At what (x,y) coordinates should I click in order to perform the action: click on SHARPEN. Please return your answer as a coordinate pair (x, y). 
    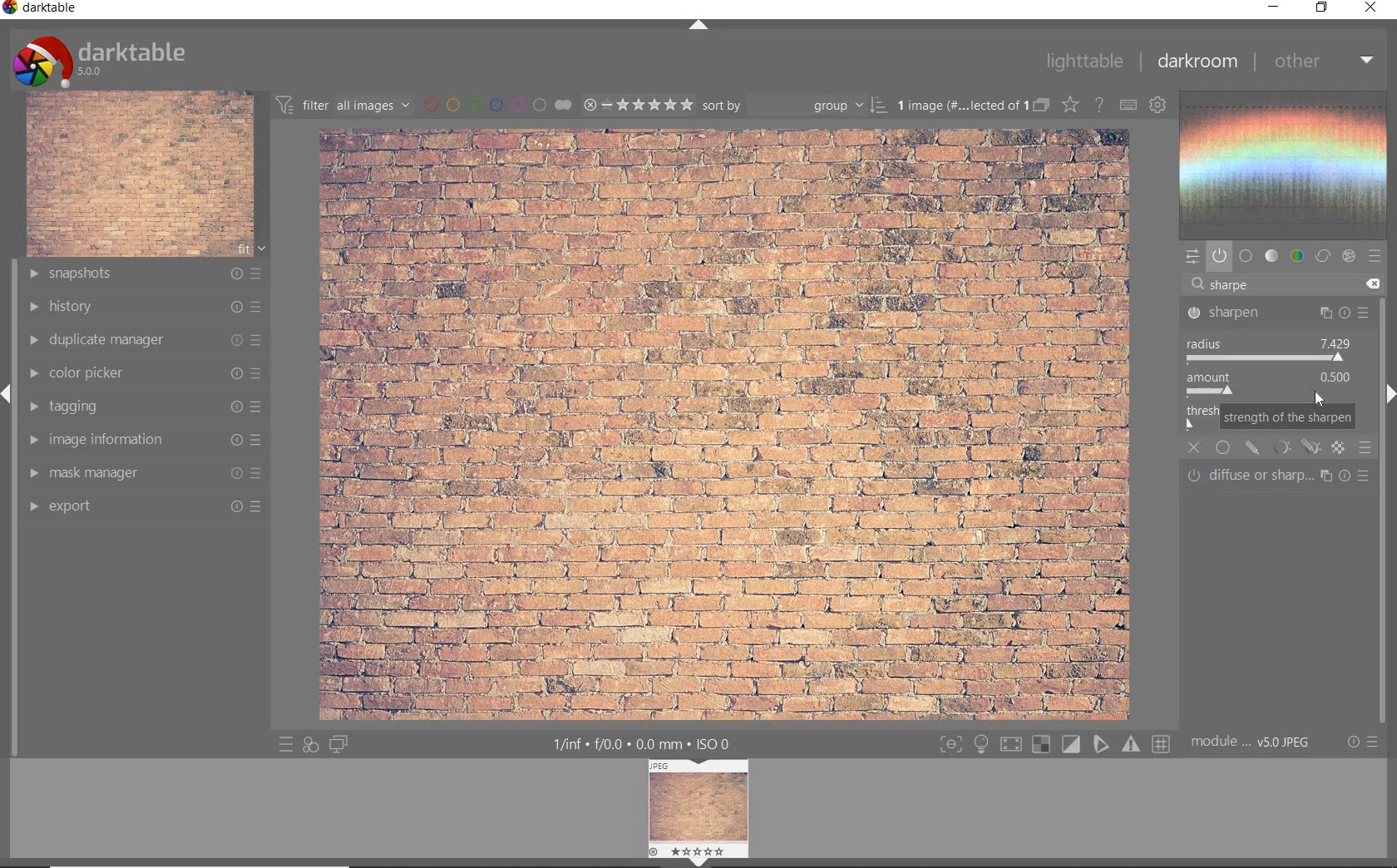
    Looking at the image, I should click on (1276, 313).